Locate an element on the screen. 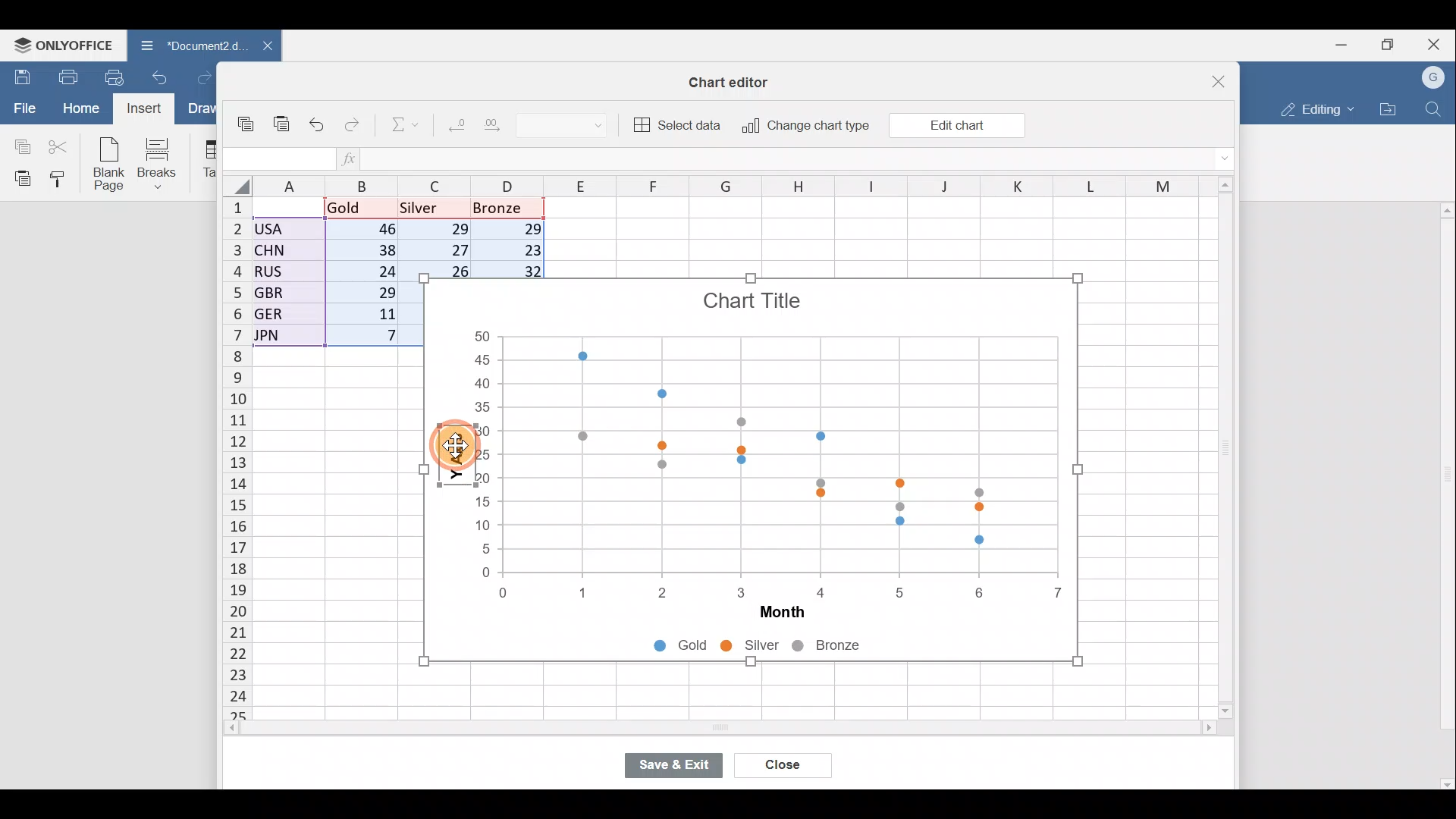 This screenshot has width=1456, height=819. Chart legends is located at coordinates (781, 648).